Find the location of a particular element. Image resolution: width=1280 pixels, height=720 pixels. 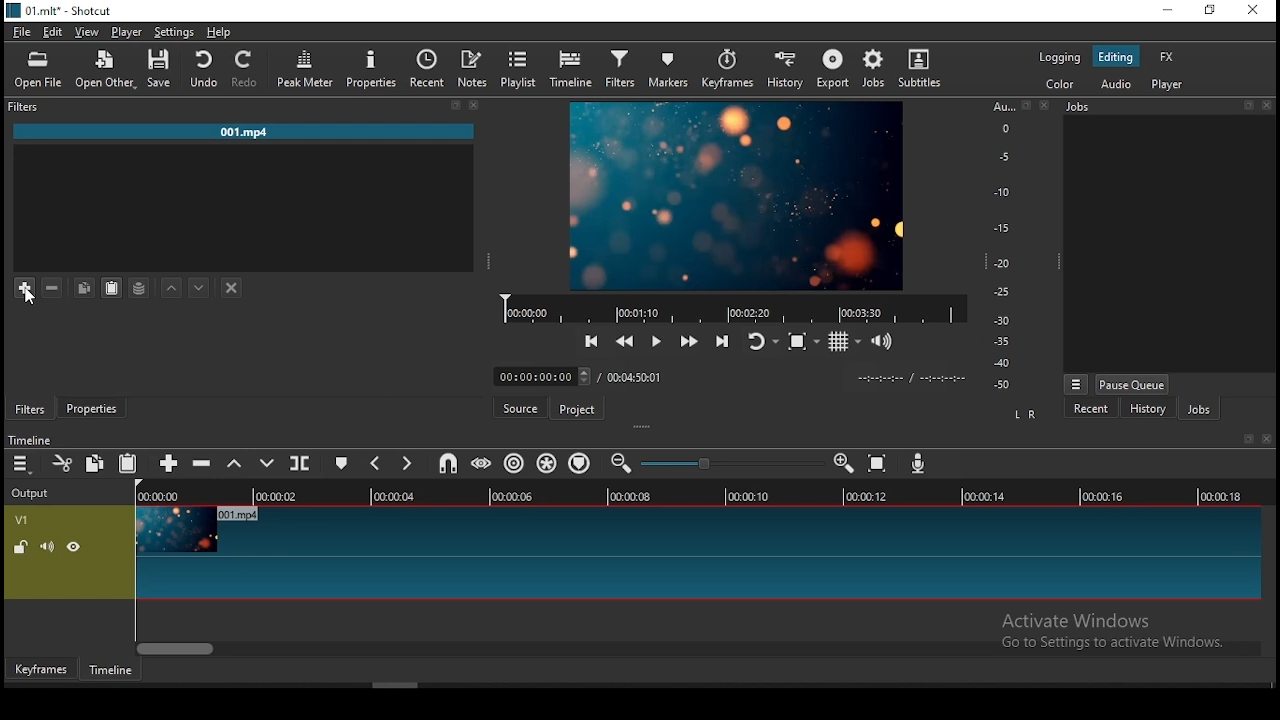

ripple all tracks is located at coordinates (551, 461).